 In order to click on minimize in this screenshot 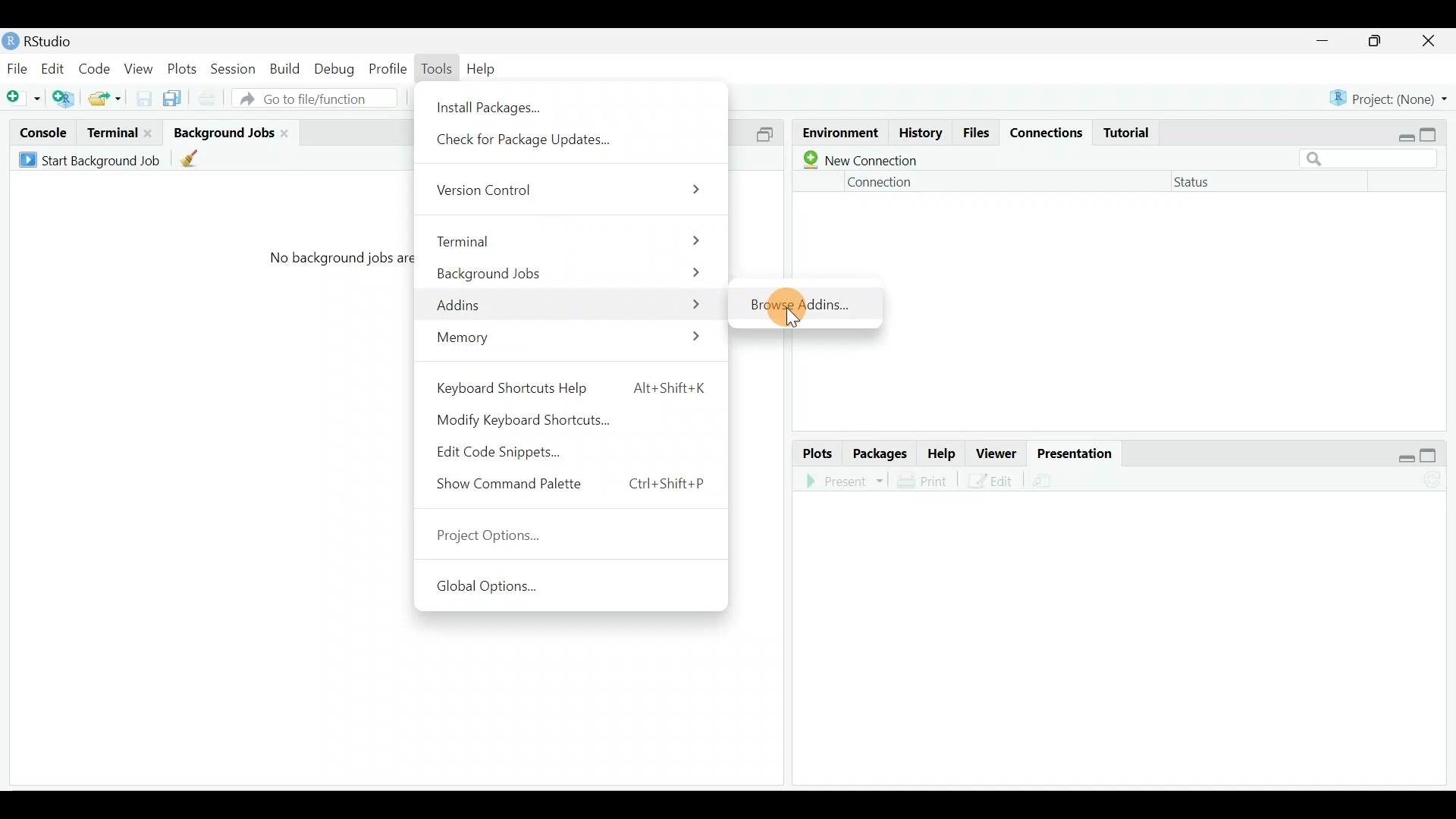, I will do `click(1330, 42)`.